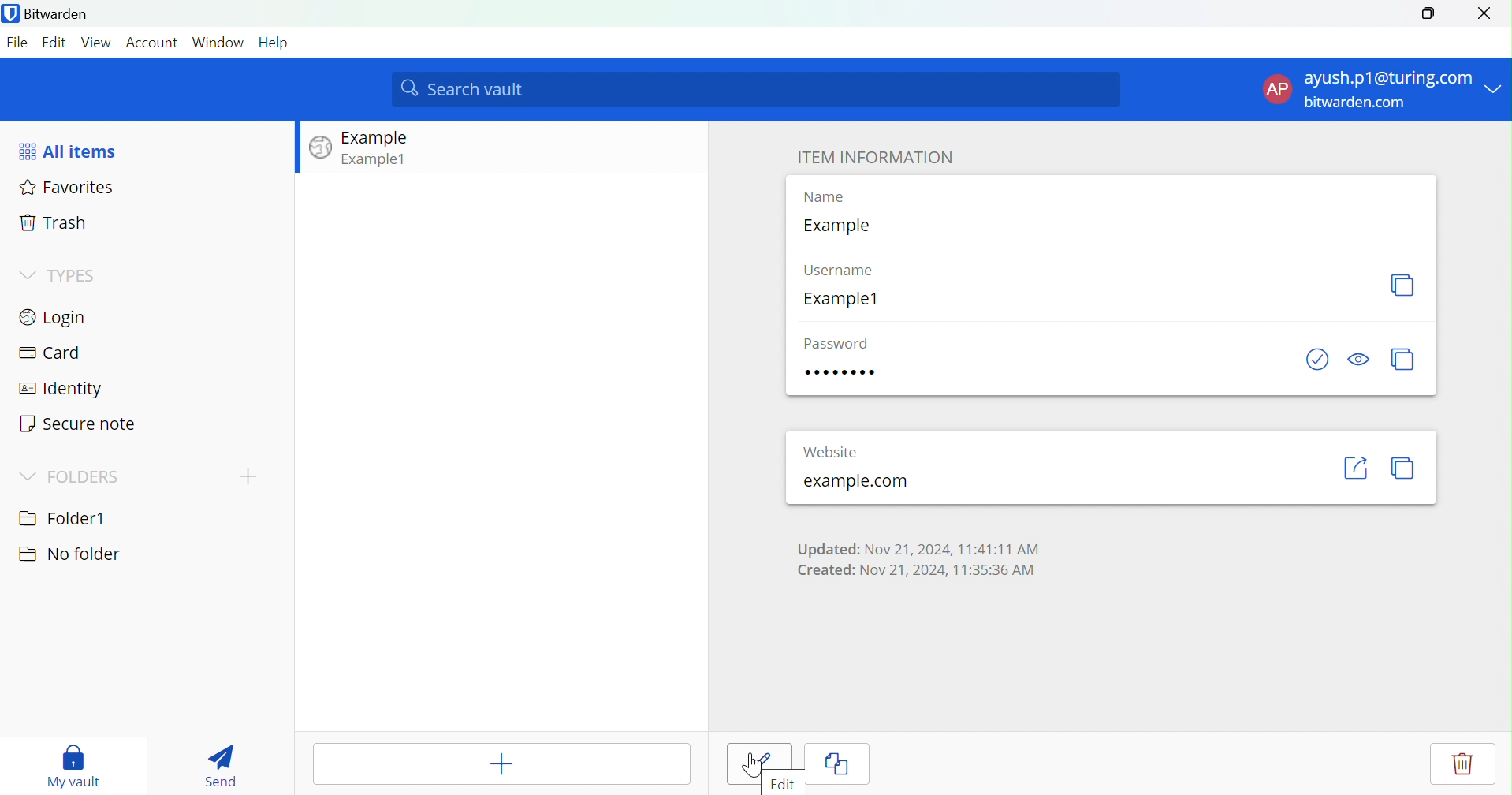 This screenshot has height=795, width=1512. I want to click on Favorites, so click(69, 189).